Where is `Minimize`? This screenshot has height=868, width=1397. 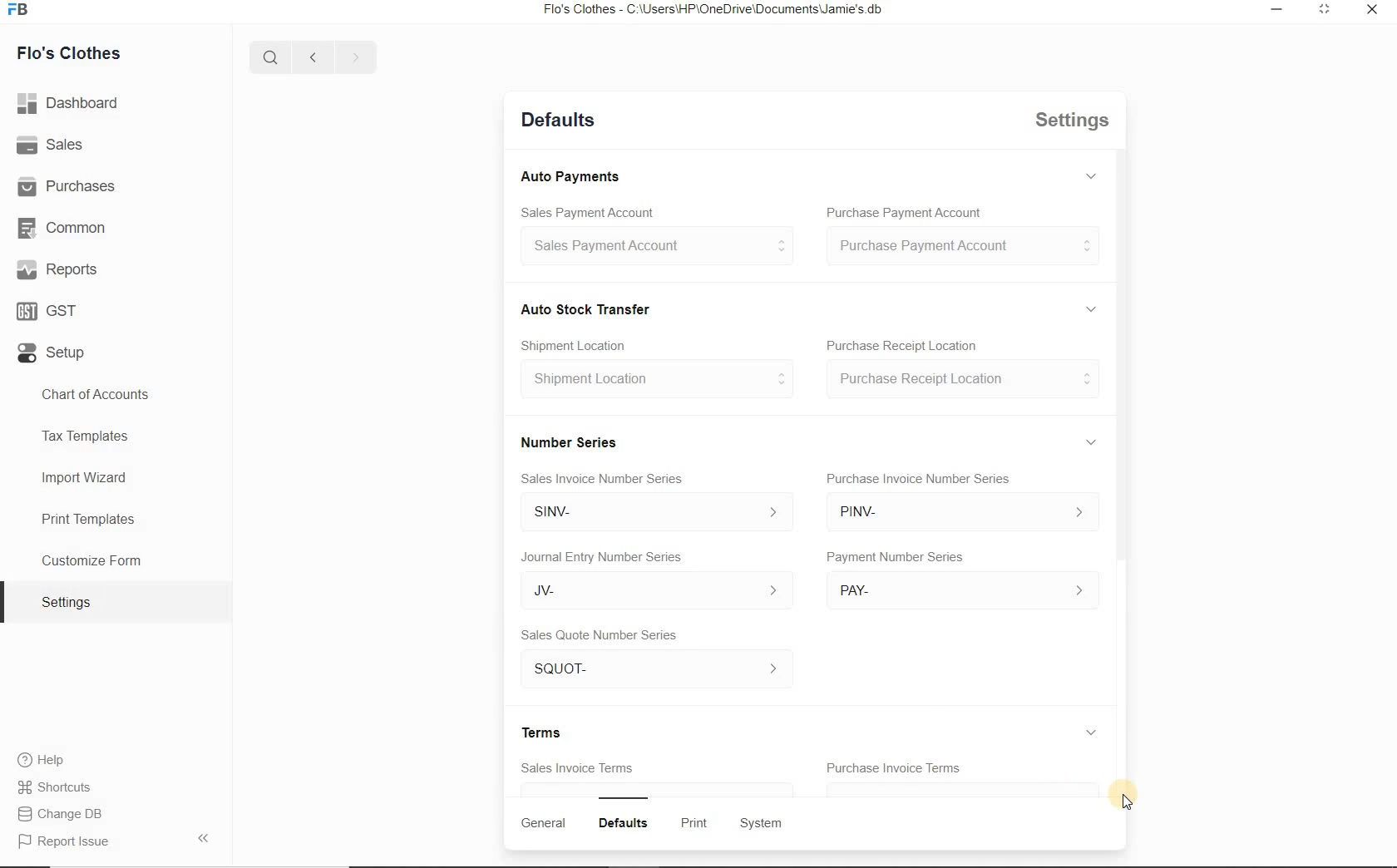
Minimize is located at coordinates (1276, 10).